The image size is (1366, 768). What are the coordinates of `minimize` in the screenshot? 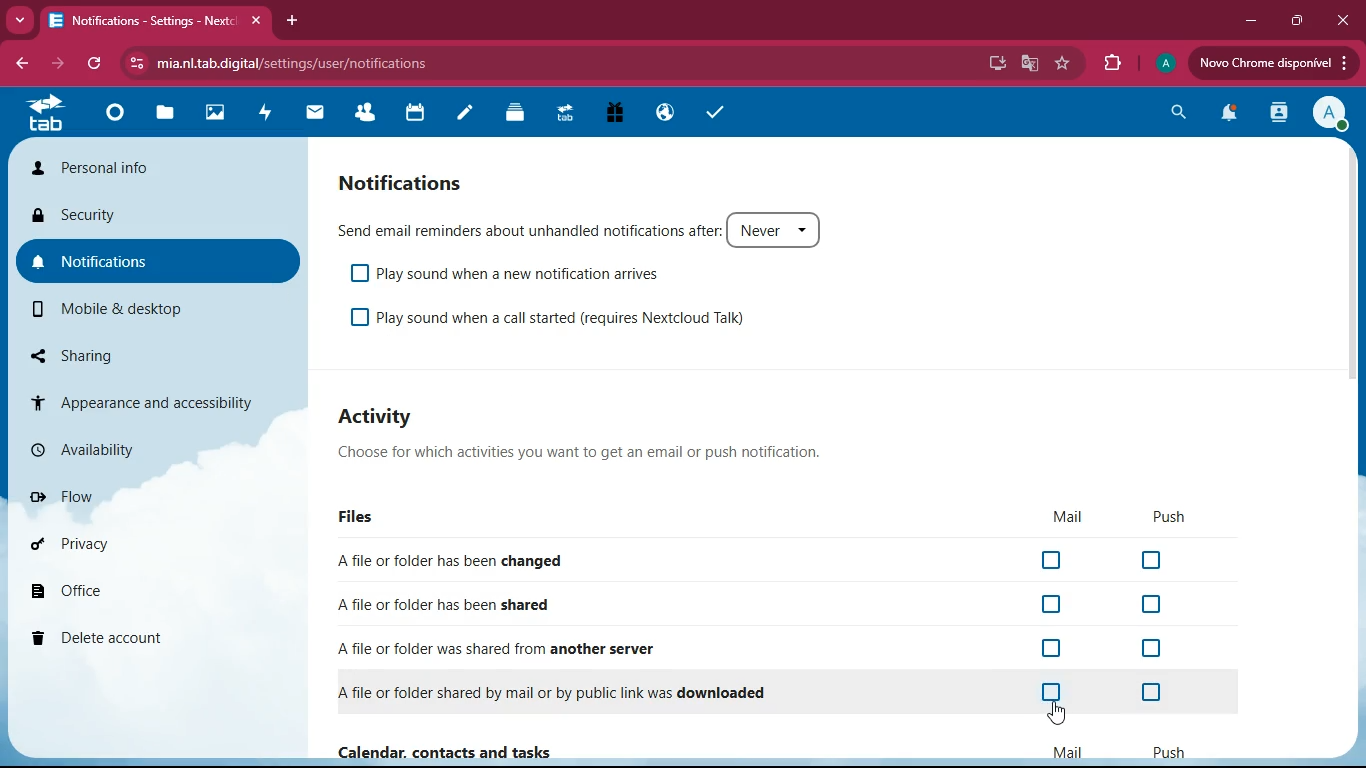 It's located at (1246, 20).